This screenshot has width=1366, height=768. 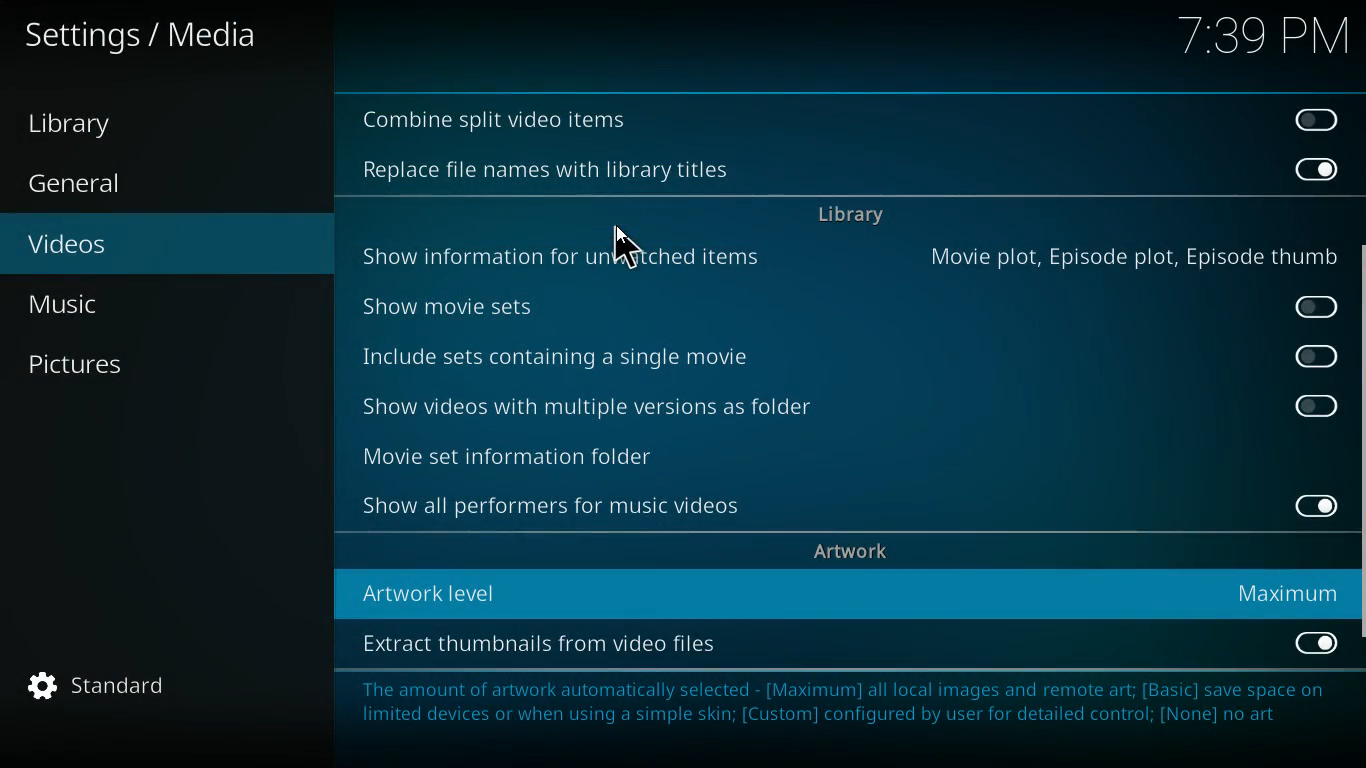 I want to click on selected level, so click(x=1287, y=593).